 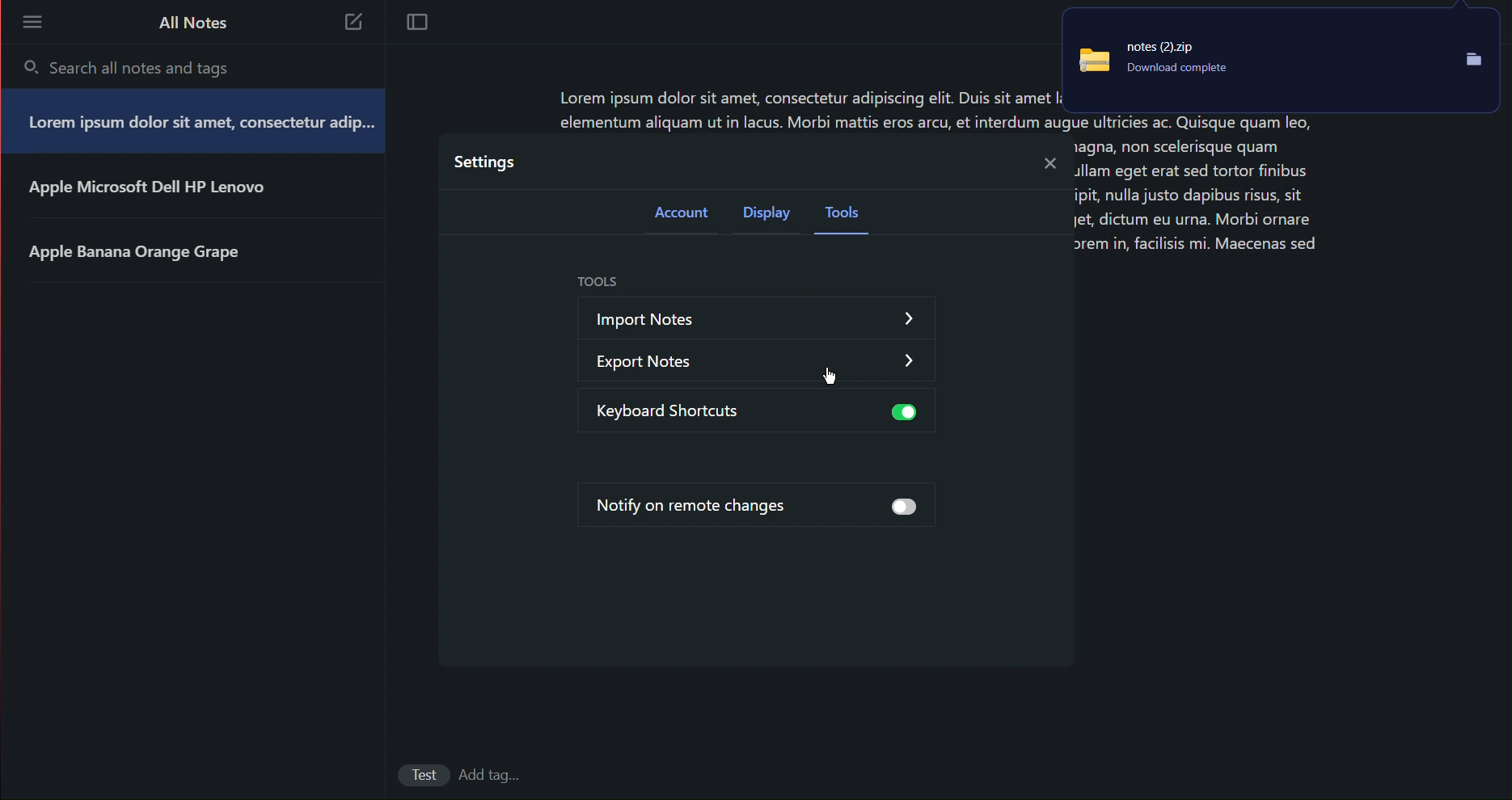 What do you see at coordinates (1202, 197) in the screenshot?
I see `1agna, non scelerisque quam
dllam eget erat sed tortor finibus
ipit, nulla justo dapibus risus, sit
Jet, dictum eu urna. Morbi ornare
orem in, facilisis mi. Maecenas sed` at bounding box center [1202, 197].